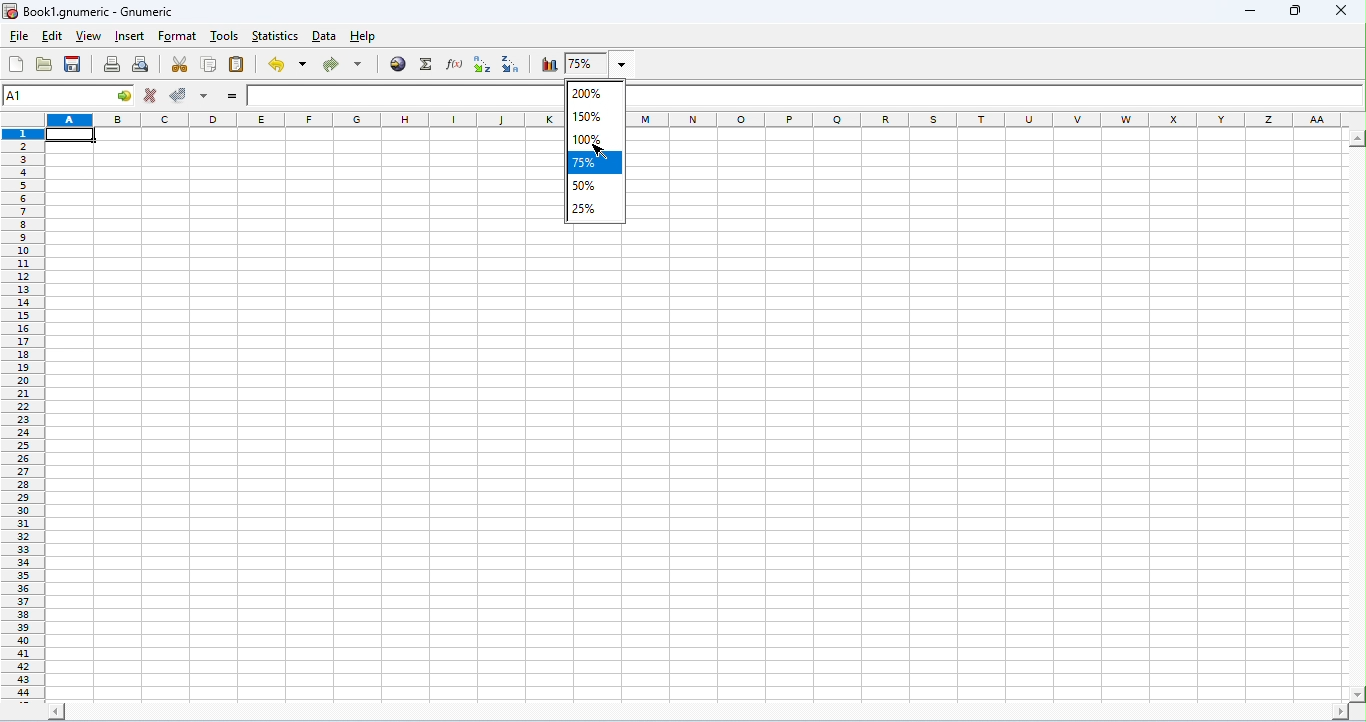 This screenshot has width=1366, height=722. What do you see at coordinates (224, 35) in the screenshot?
I see `tools` at bounding box center [224, 35].